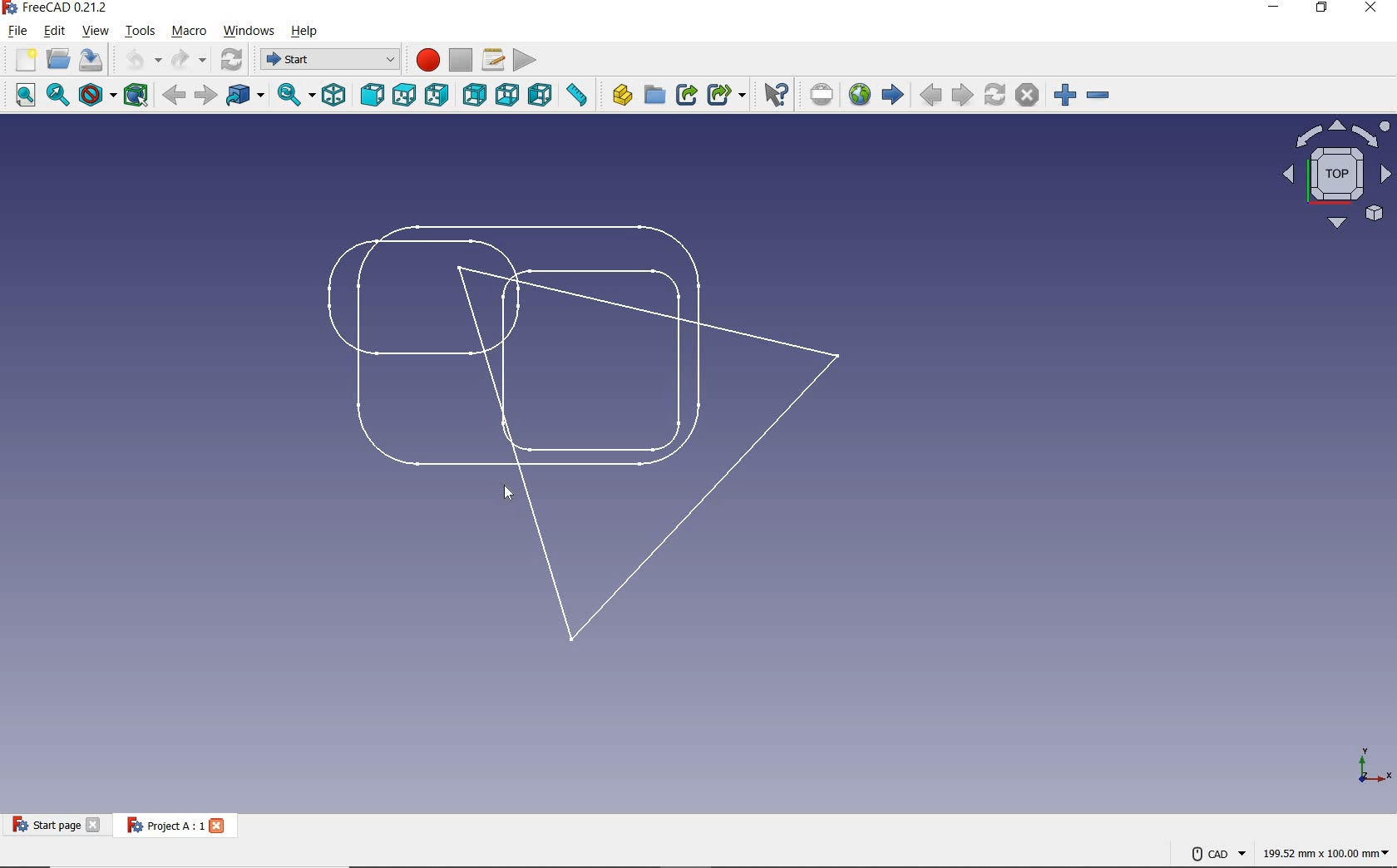 This screenshot has width=1397, height=868. What do you see at coordinates (327, 60) in the screenshot?
I see `SWITCH BETWEEN WORKBENCES` at bounding box center [327, 60].